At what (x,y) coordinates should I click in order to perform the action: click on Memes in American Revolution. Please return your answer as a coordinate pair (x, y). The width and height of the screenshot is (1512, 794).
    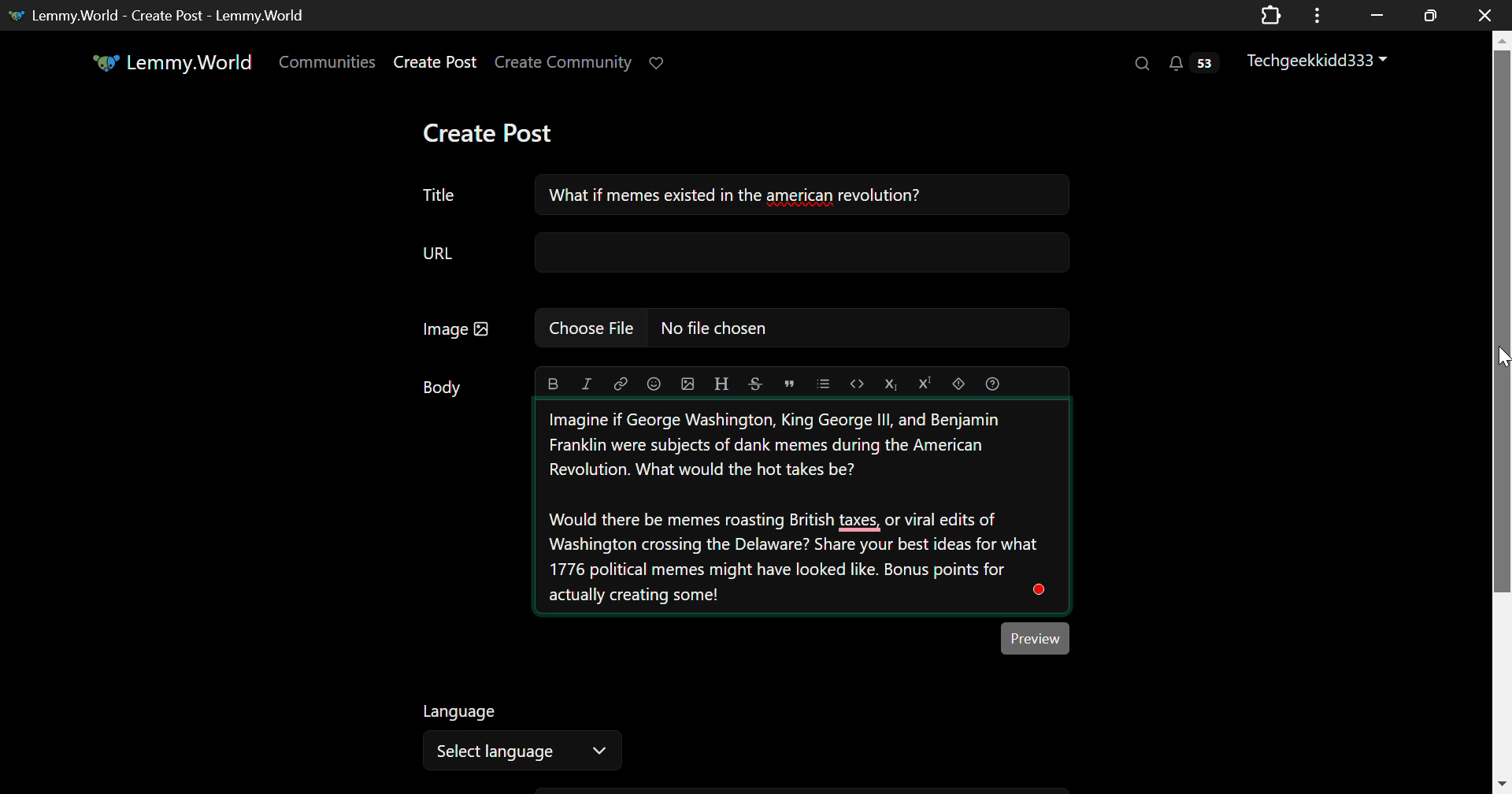
    Looking at the image, I should click on (802, 507).